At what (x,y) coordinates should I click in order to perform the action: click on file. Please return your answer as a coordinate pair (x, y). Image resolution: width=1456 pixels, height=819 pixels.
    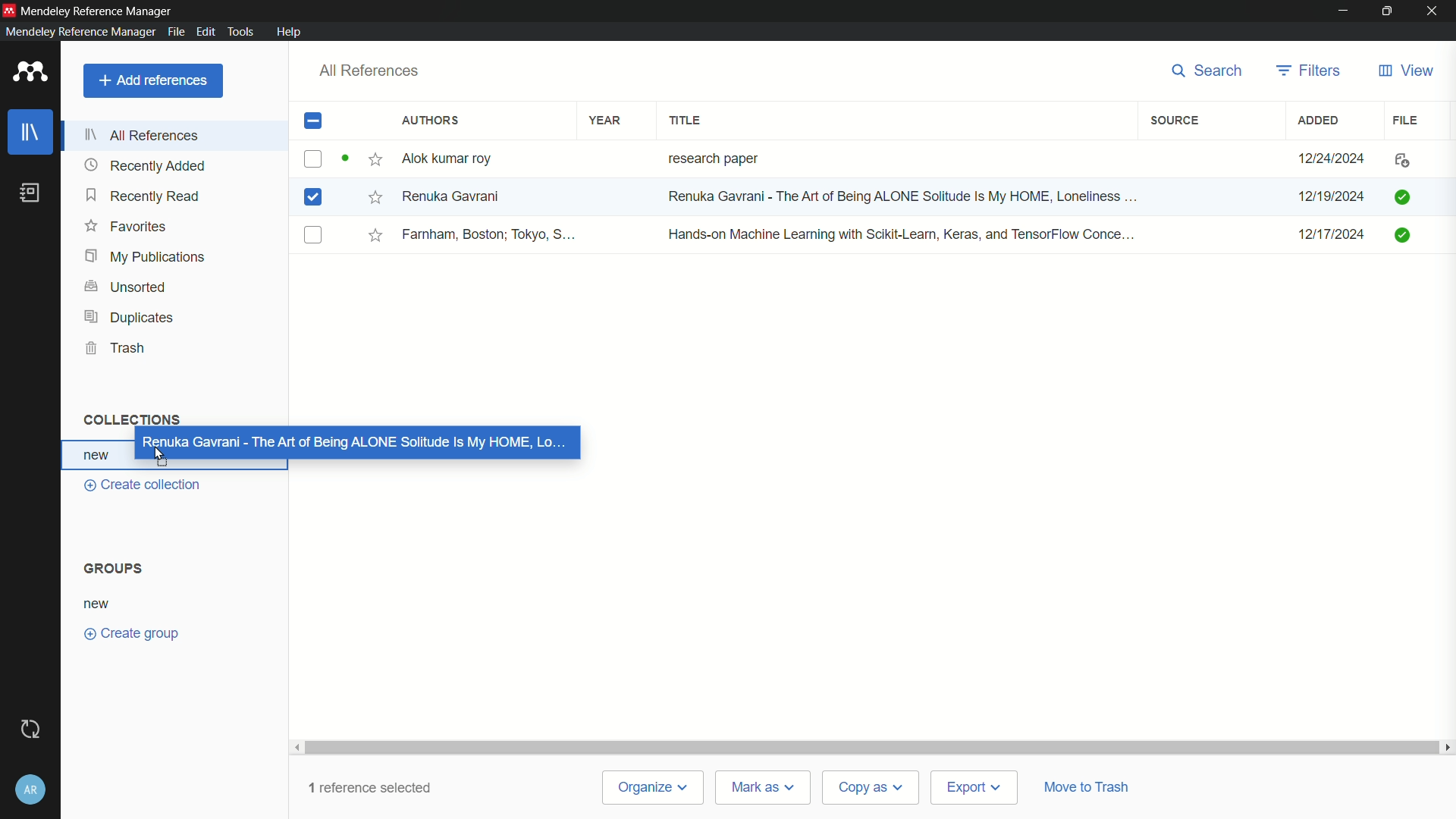
    Looking at the image, I should click on (1399, 160).